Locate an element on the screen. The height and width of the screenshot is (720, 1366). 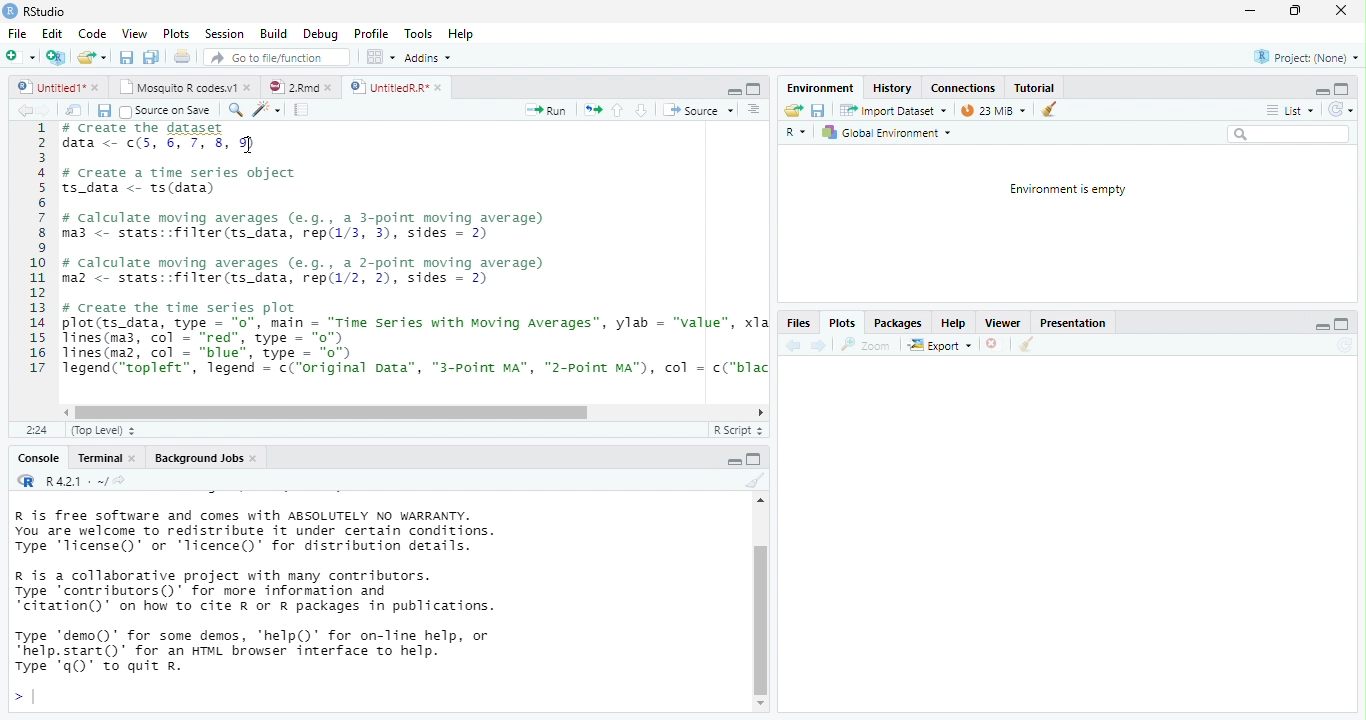
Create a project is located at coordinates (55, 57).